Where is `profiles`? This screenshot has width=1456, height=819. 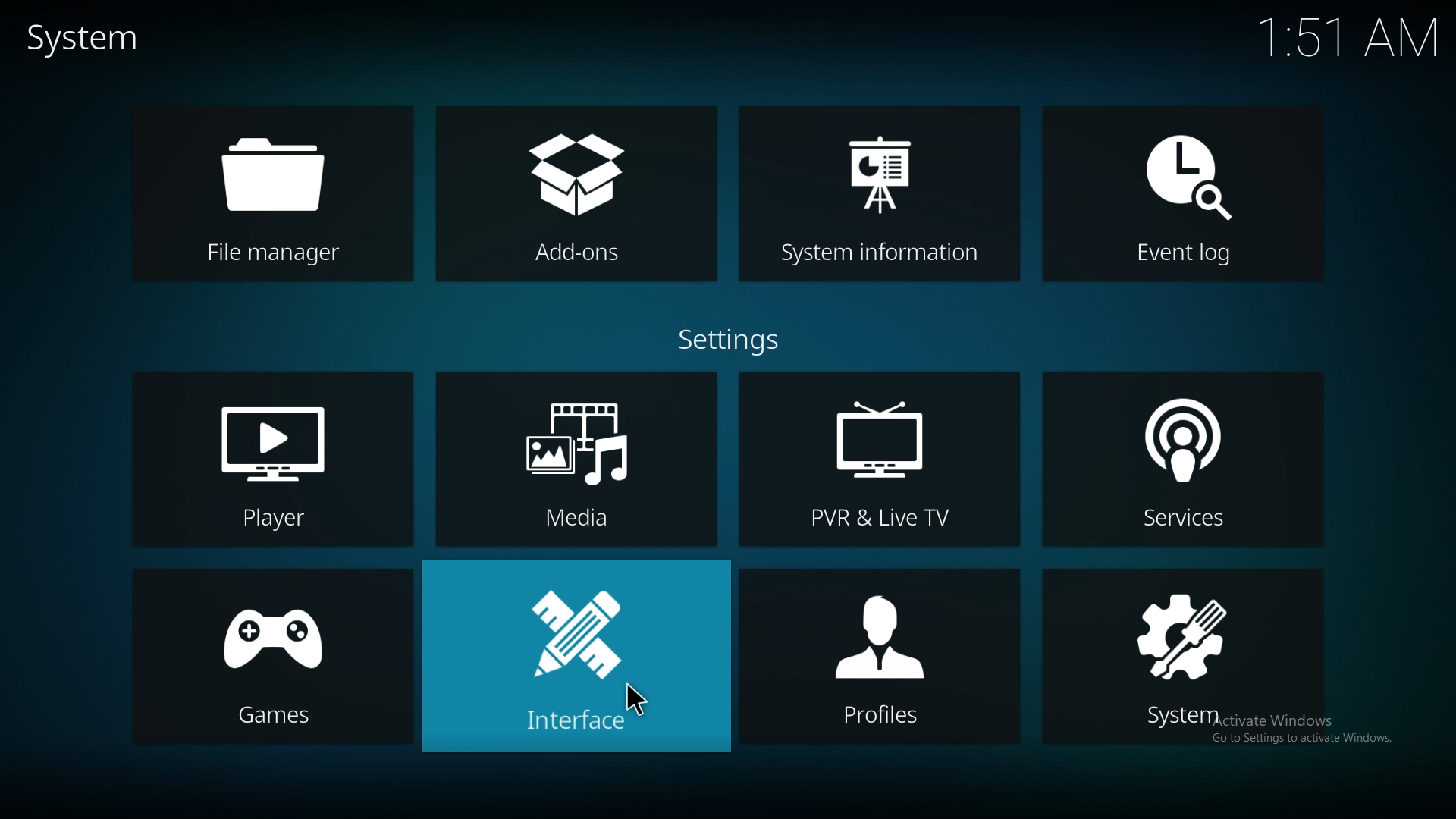
profiles is located at coordinates (879, 658).